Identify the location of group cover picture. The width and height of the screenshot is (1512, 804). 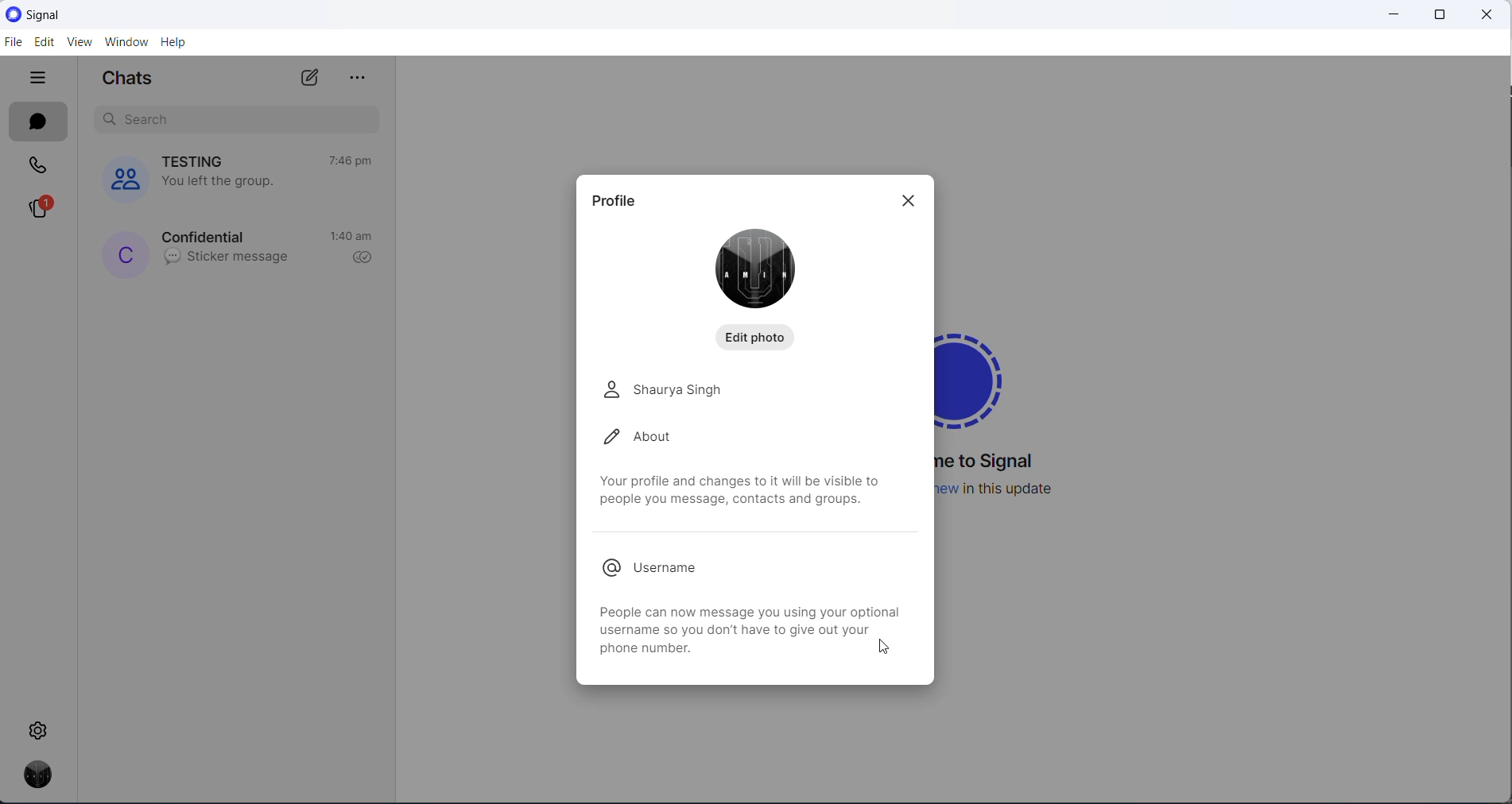
(122, 180).